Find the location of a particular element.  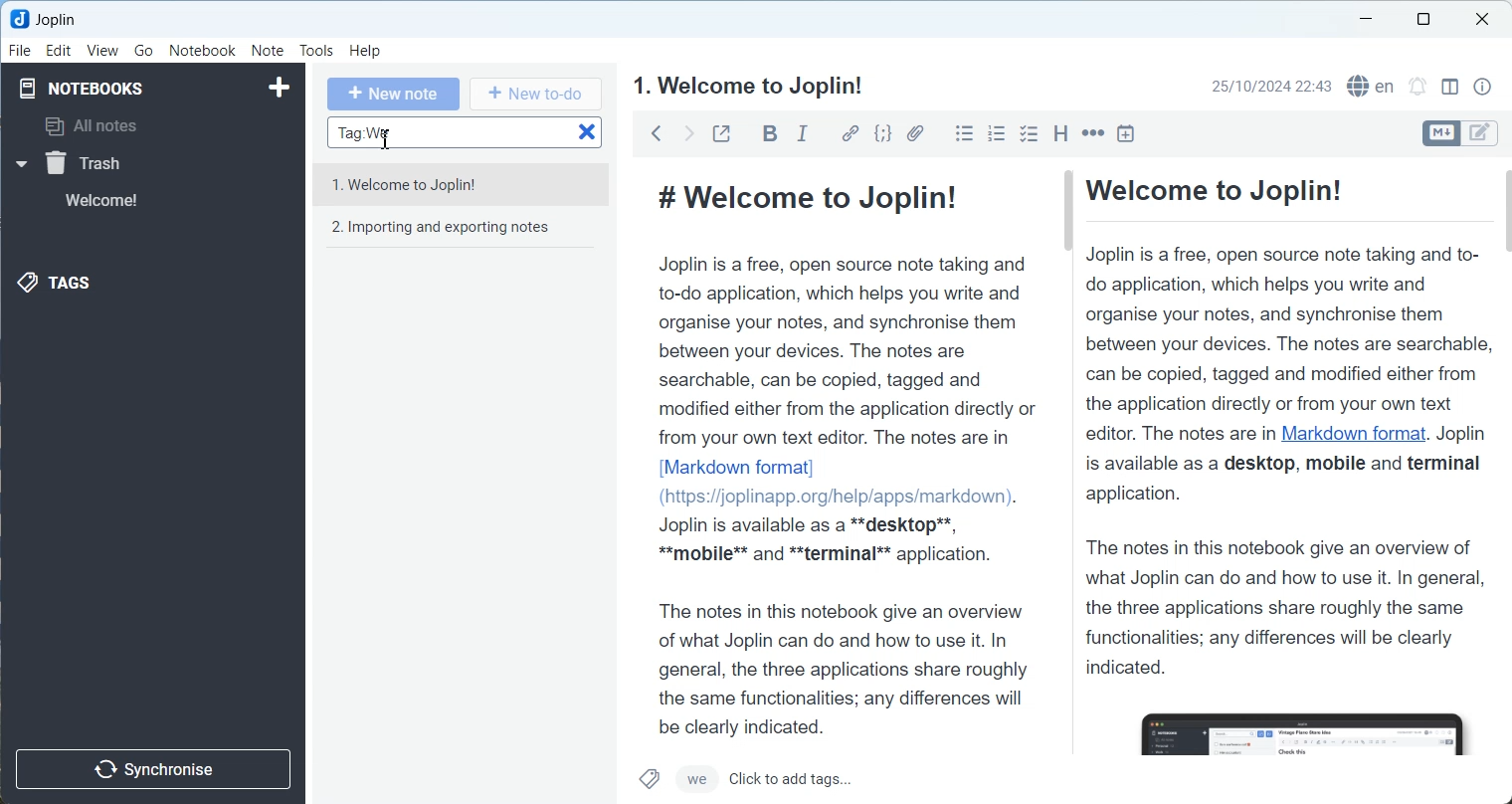

verticle scrollbar is located at coordinates (1503, 371).